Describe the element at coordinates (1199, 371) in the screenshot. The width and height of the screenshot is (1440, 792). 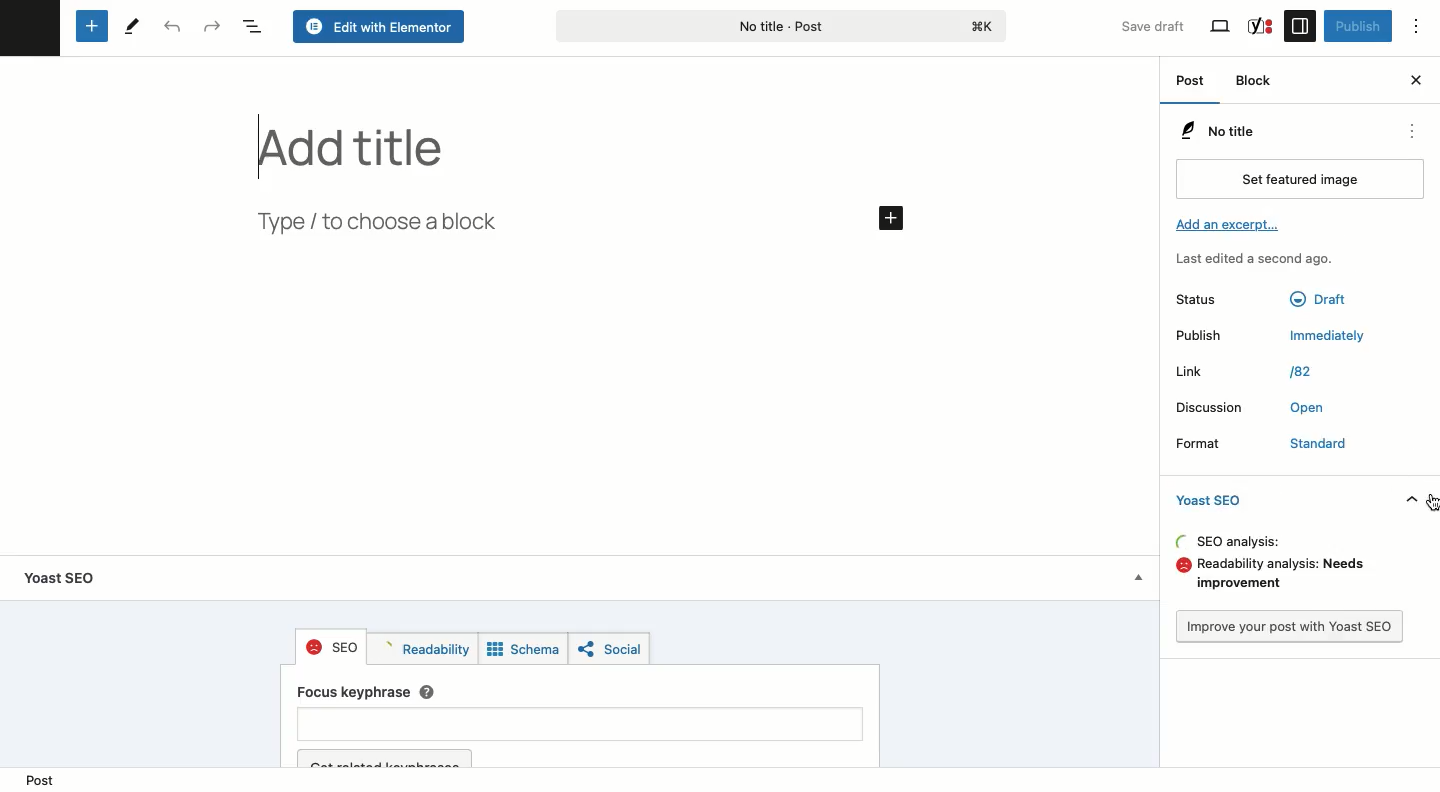
I see `Link` at that location.